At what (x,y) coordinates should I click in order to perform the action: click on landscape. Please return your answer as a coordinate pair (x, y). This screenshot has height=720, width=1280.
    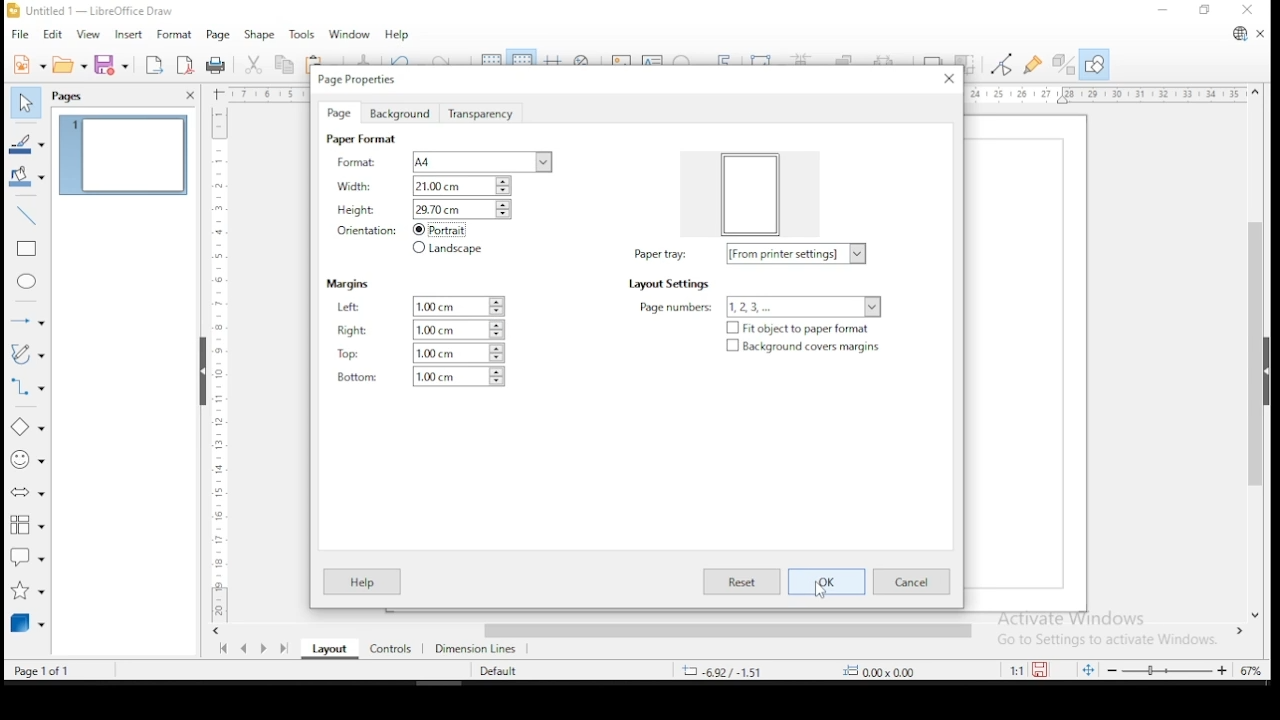
    Looking at the image, I should click on (448, 247).